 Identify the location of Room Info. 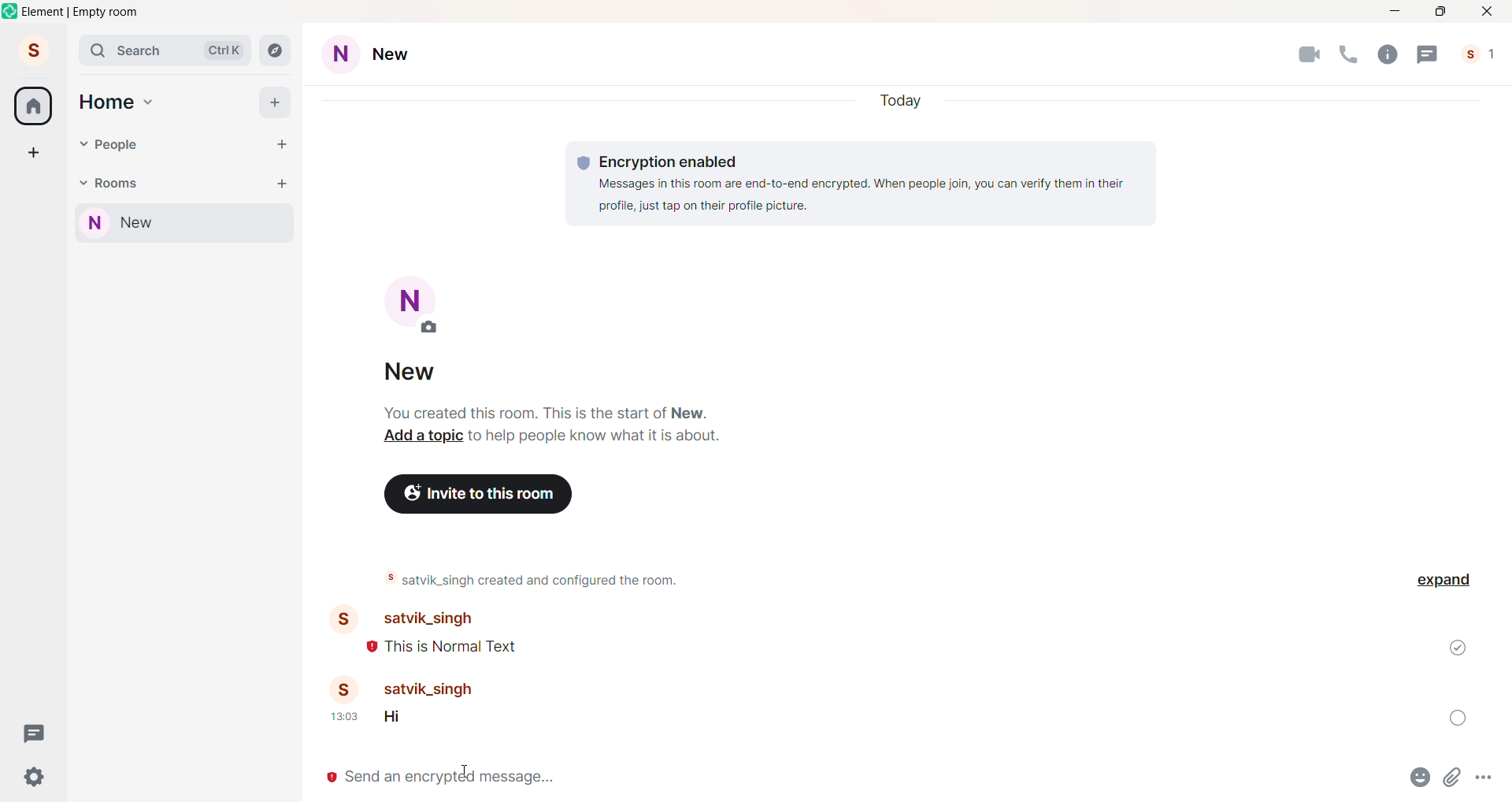
(1386, 54).